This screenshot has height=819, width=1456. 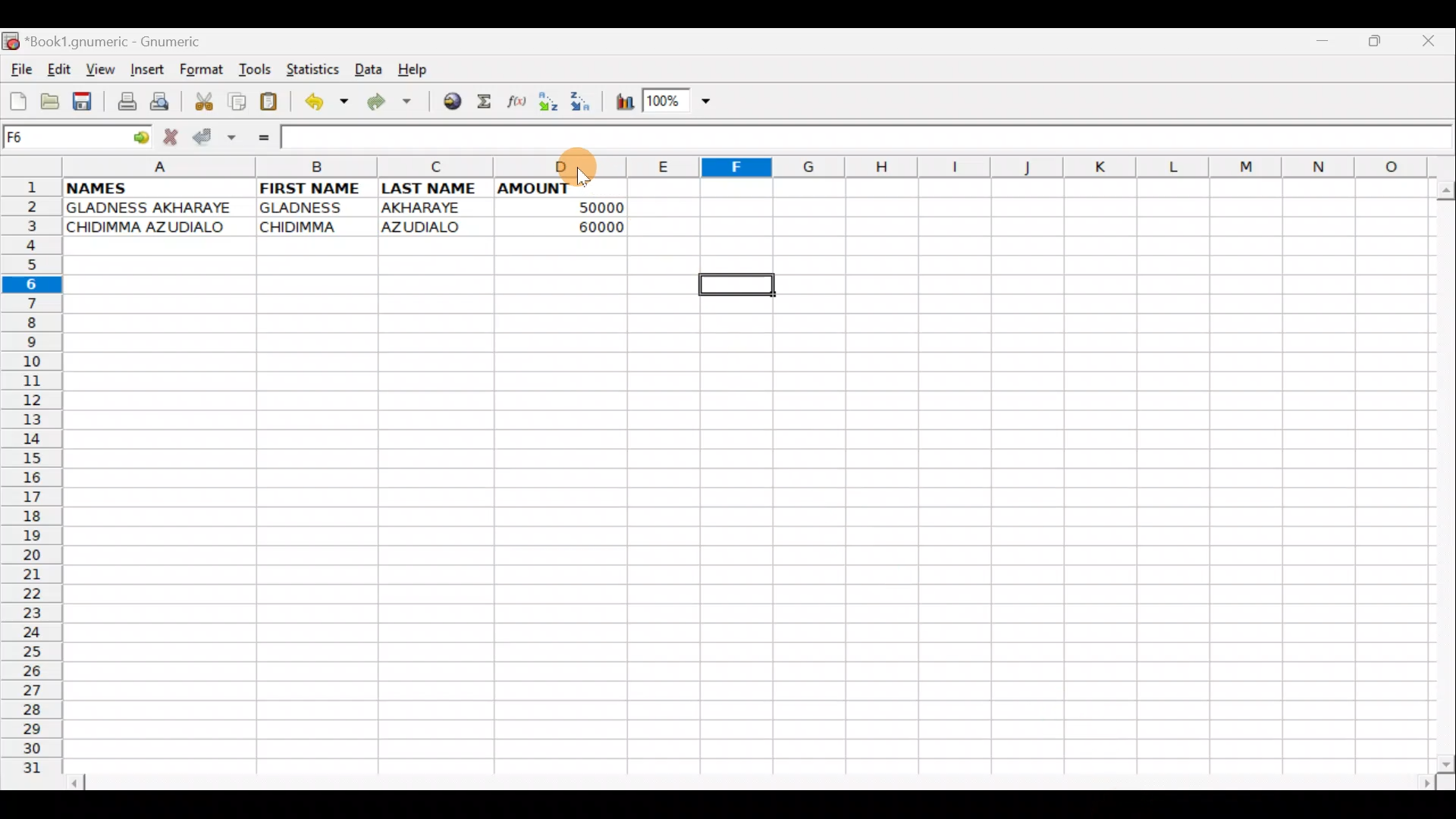 I want to click on Print preview, so click(x=162, y=101).